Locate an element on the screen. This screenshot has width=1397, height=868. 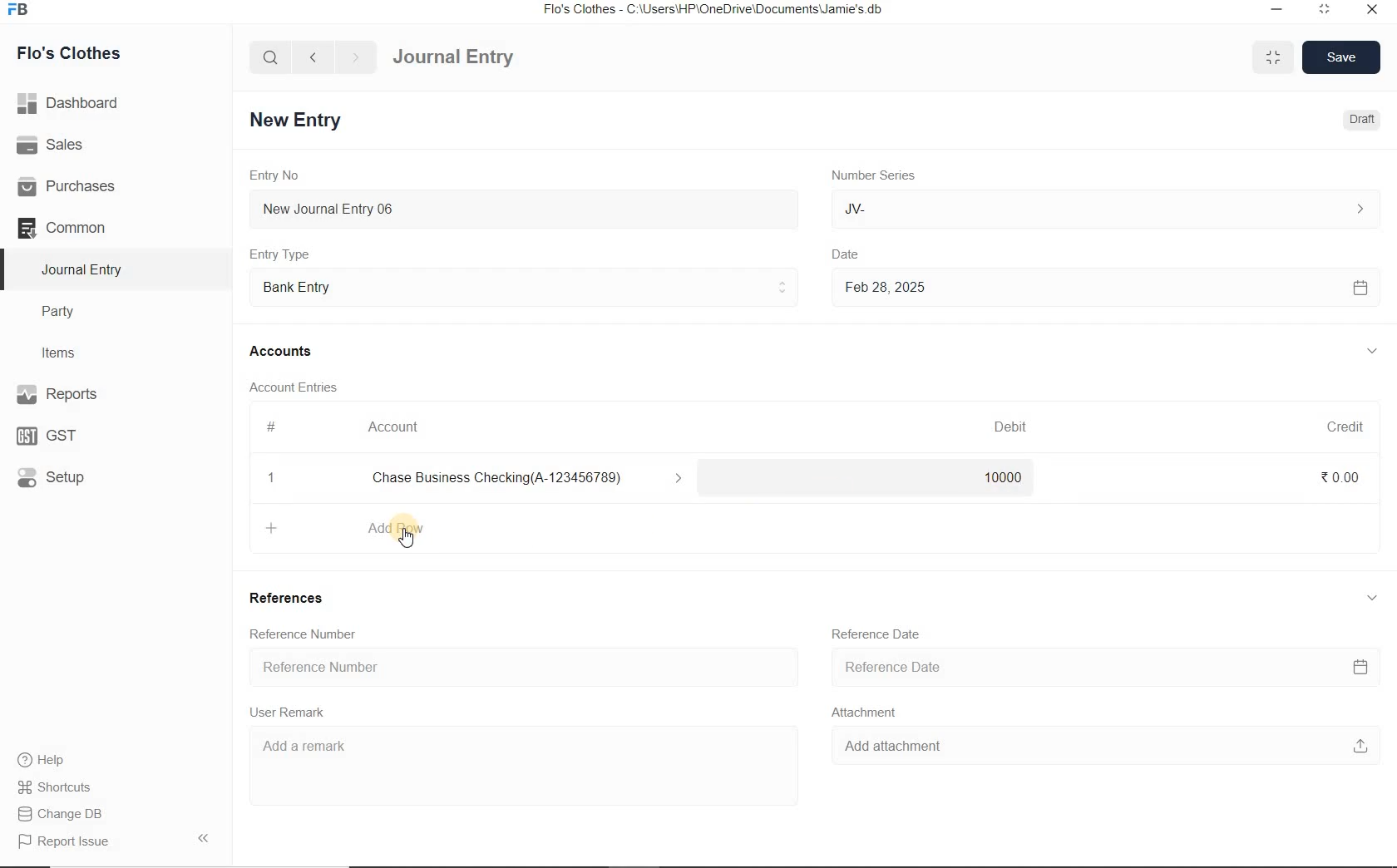
Account Entries is located at coordinates (300, 387).